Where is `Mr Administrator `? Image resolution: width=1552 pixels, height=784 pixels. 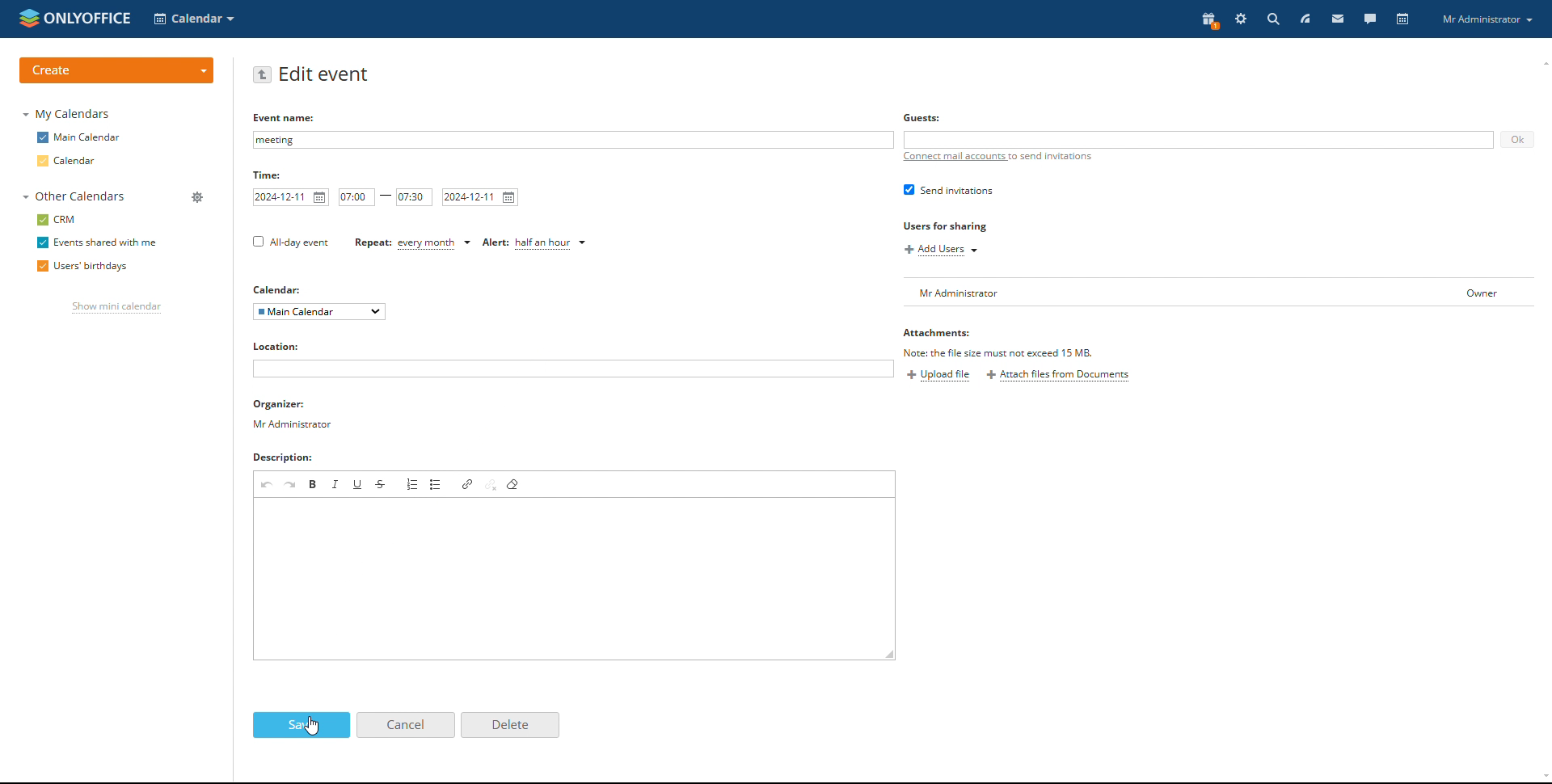
Mr Administrator  is located at coordinates (1490, 21).